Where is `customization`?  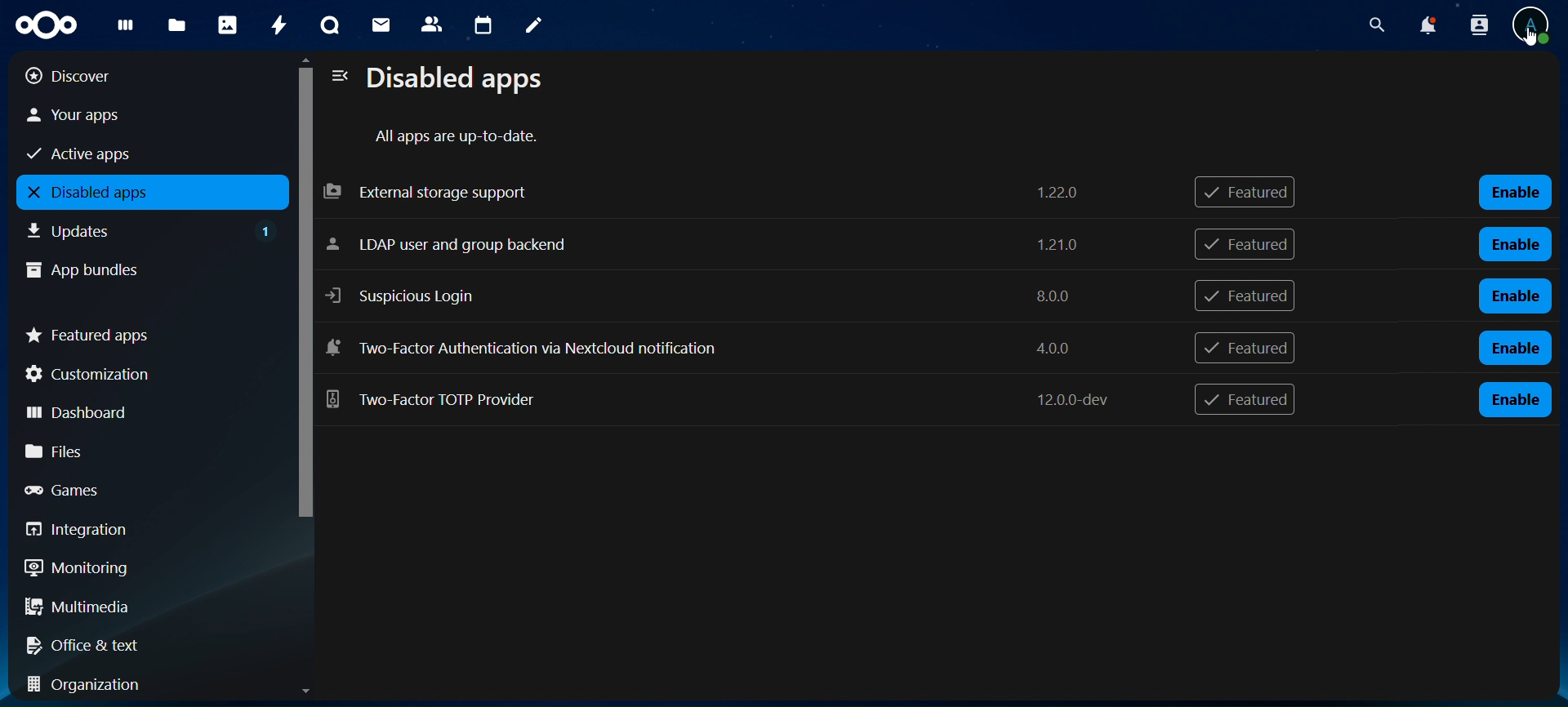 customization is located at coordinates (145, 374).